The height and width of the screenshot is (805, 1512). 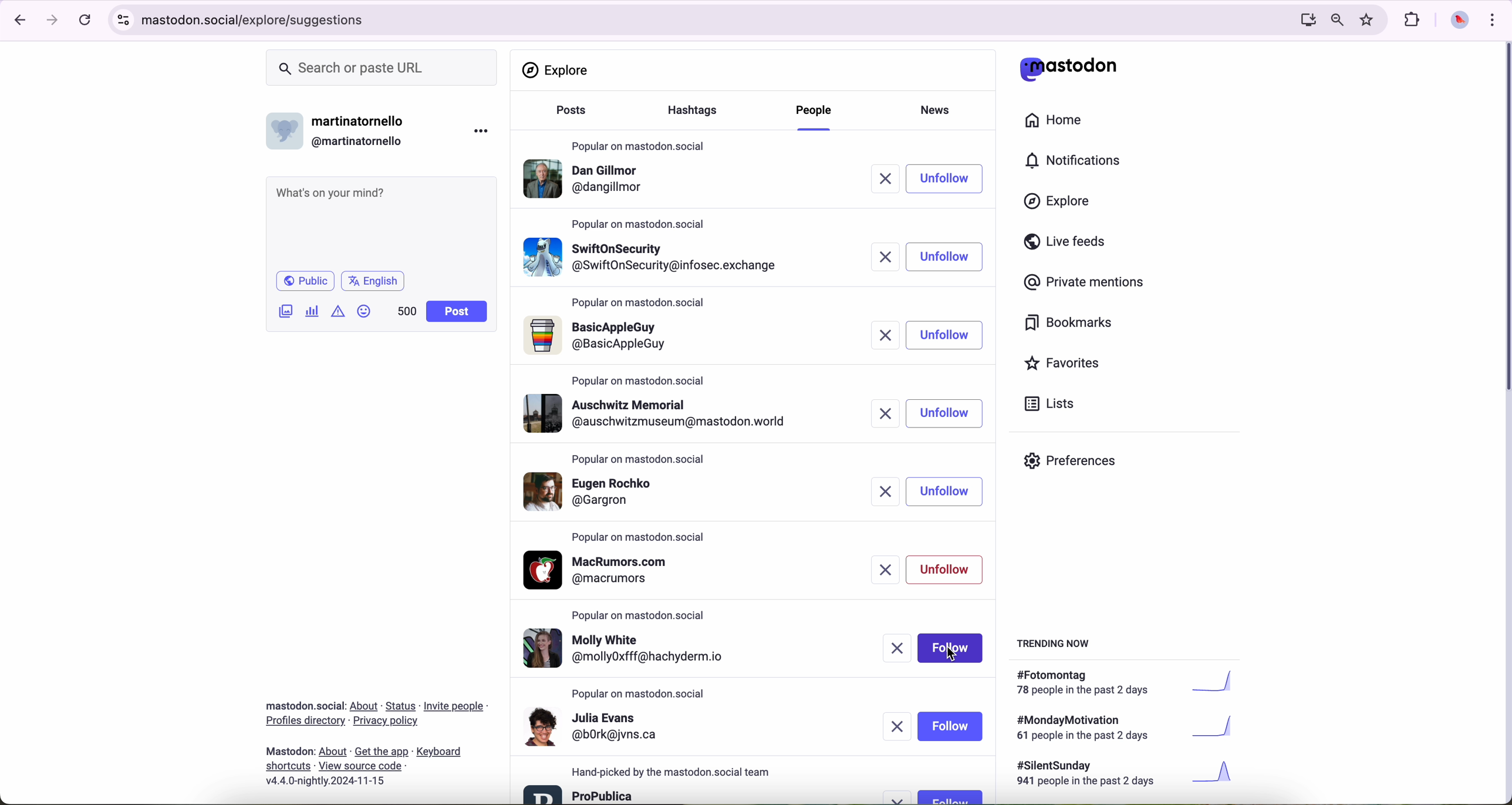 What do you see at coordinates (1078, 161) in the screenshot?
I see `notifications` at bounding box center [1078, 161].